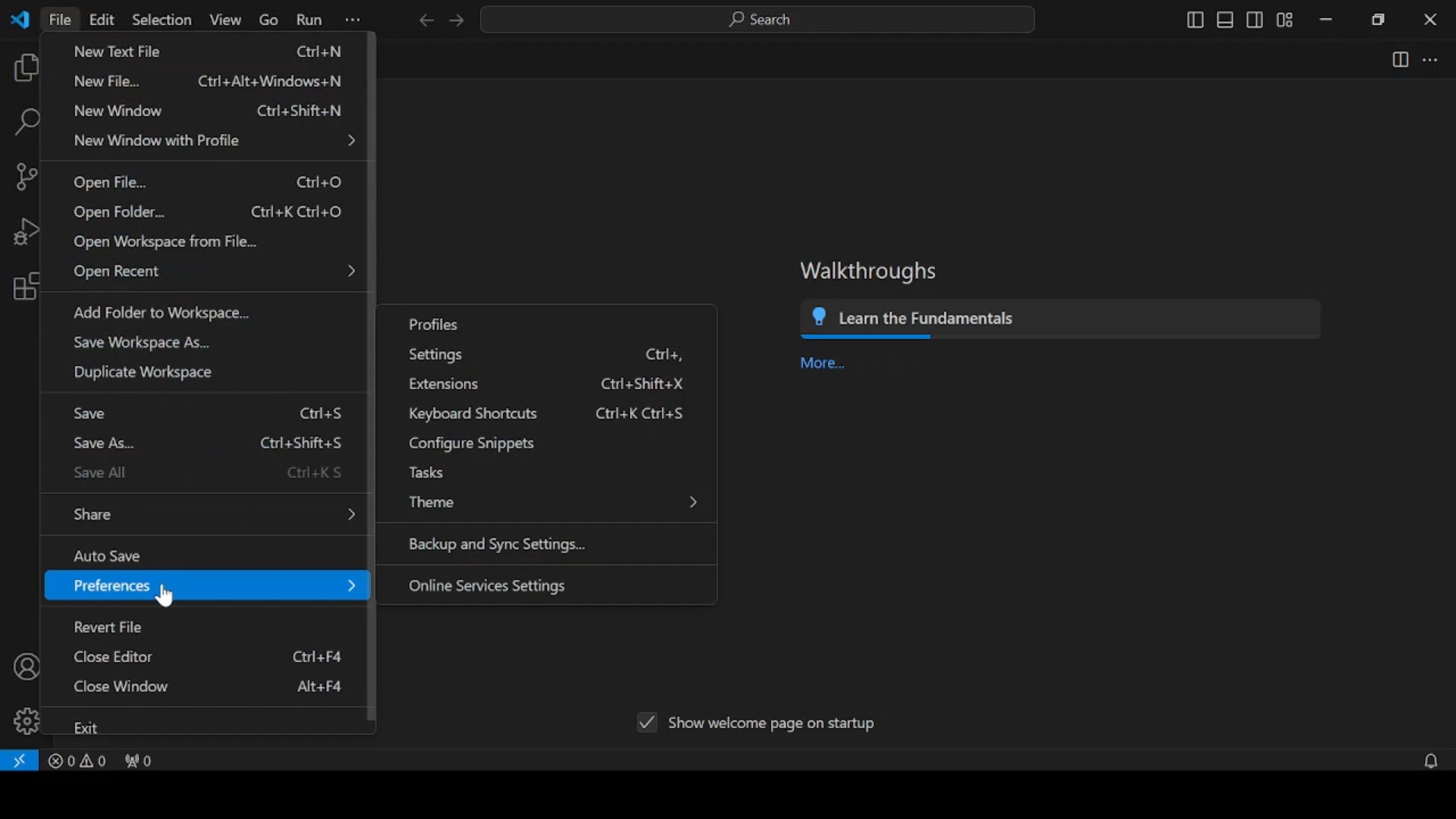 The height and width of the screenshot is (819, 1456). I want to click on no ports forwarded, so click(136, 760).